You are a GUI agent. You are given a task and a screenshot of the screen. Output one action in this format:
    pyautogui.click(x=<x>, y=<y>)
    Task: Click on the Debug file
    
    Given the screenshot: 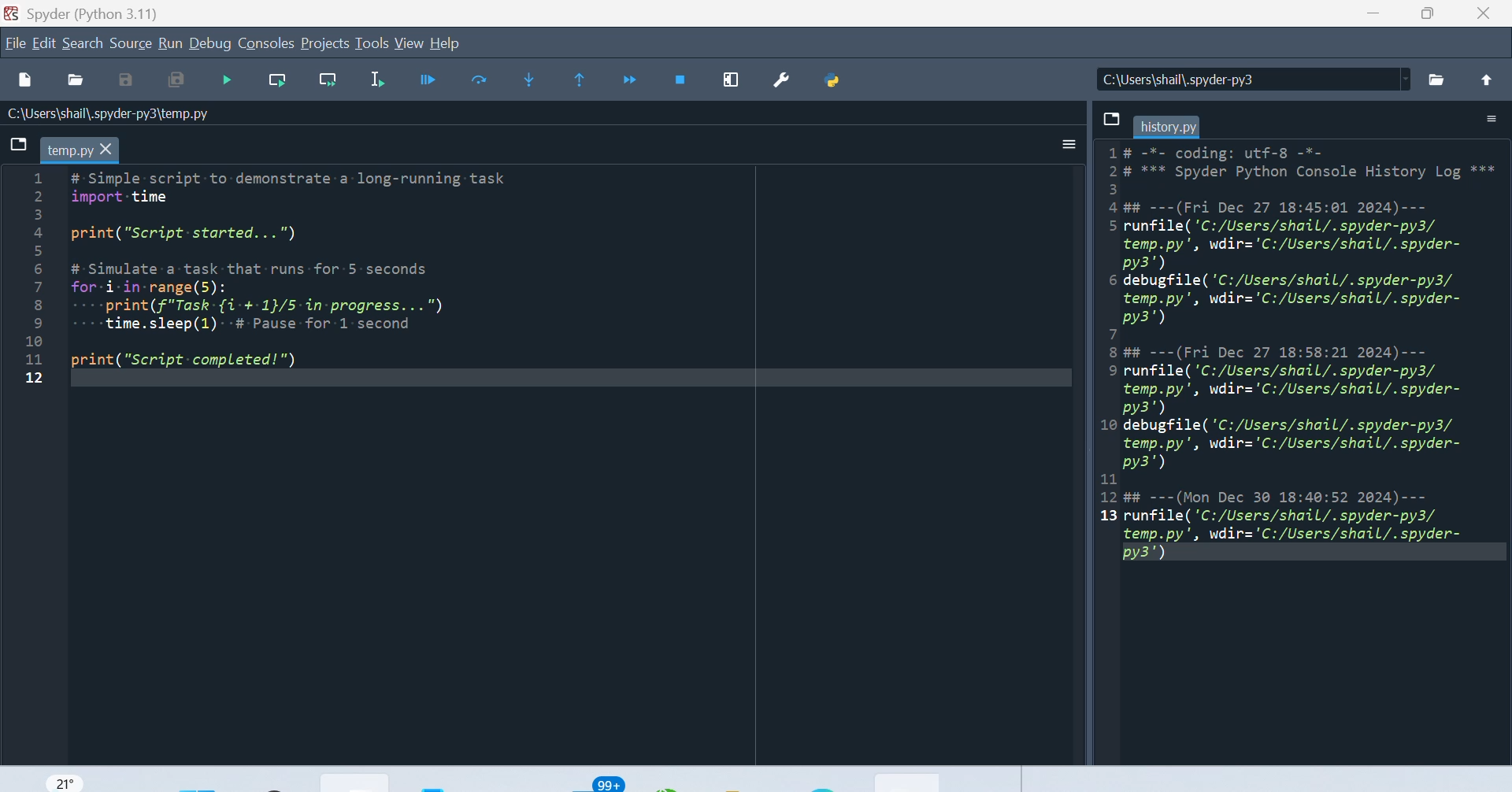 What is the action you would take?
    pyautogui.click(x=232, y=82)
    